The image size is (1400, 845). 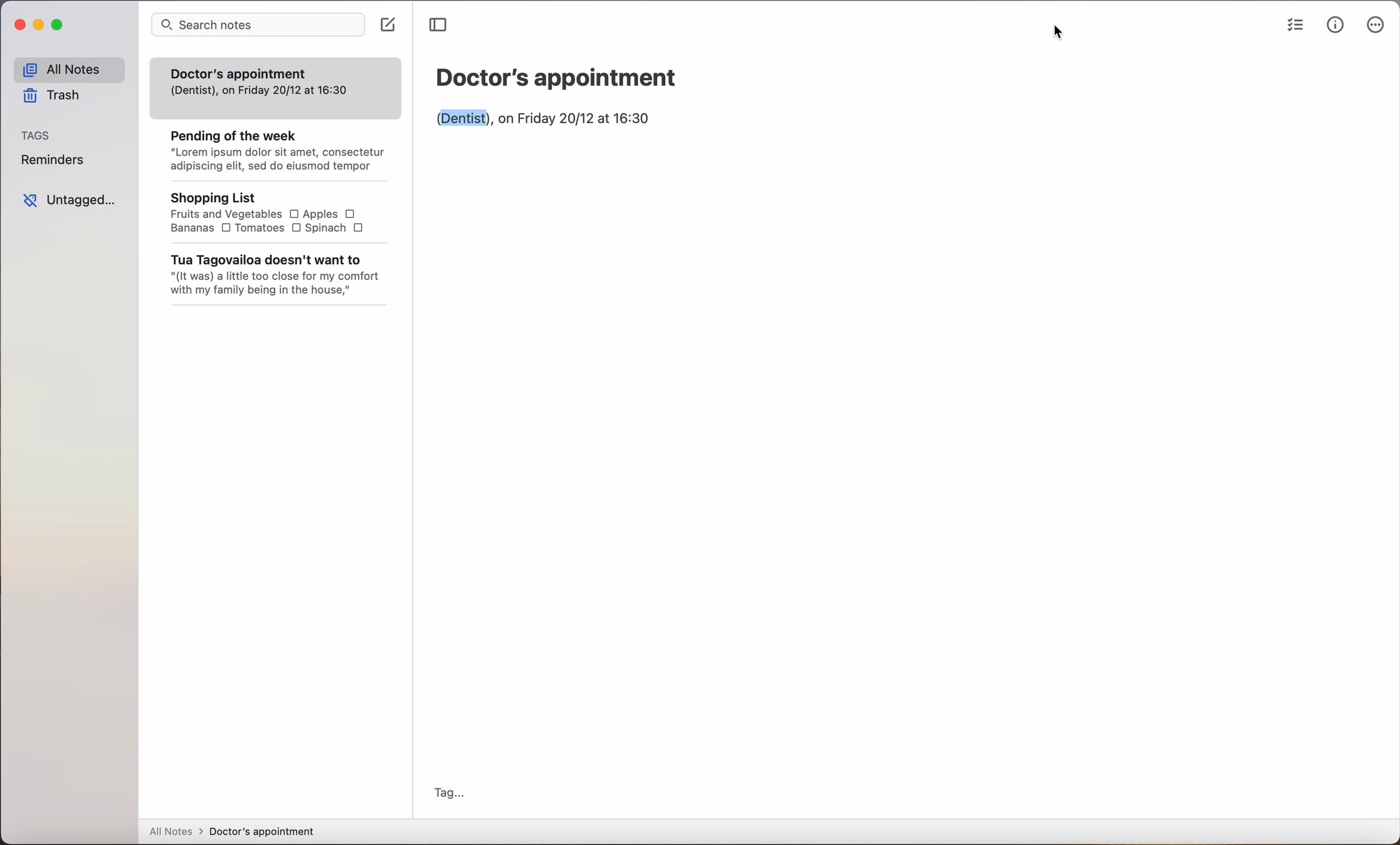 What do you see at coordinates (574, 120) in the screenshot?
I see `On Friday 20/12 at 16:30` at bounding box center [574, 120].